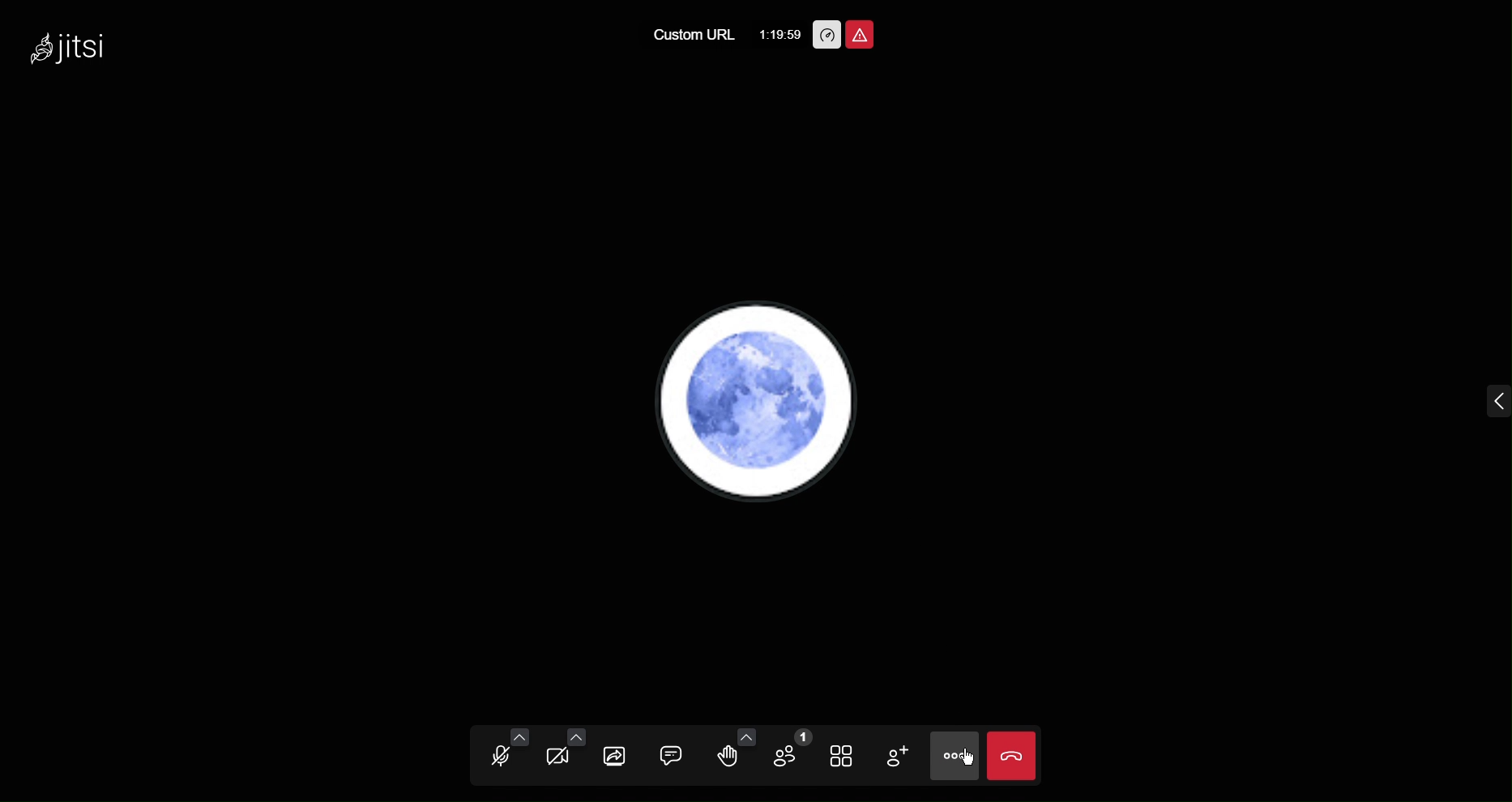  Describe the element at coordinates (781, 35) in the screenshot. I see `1:19:59` at that location.